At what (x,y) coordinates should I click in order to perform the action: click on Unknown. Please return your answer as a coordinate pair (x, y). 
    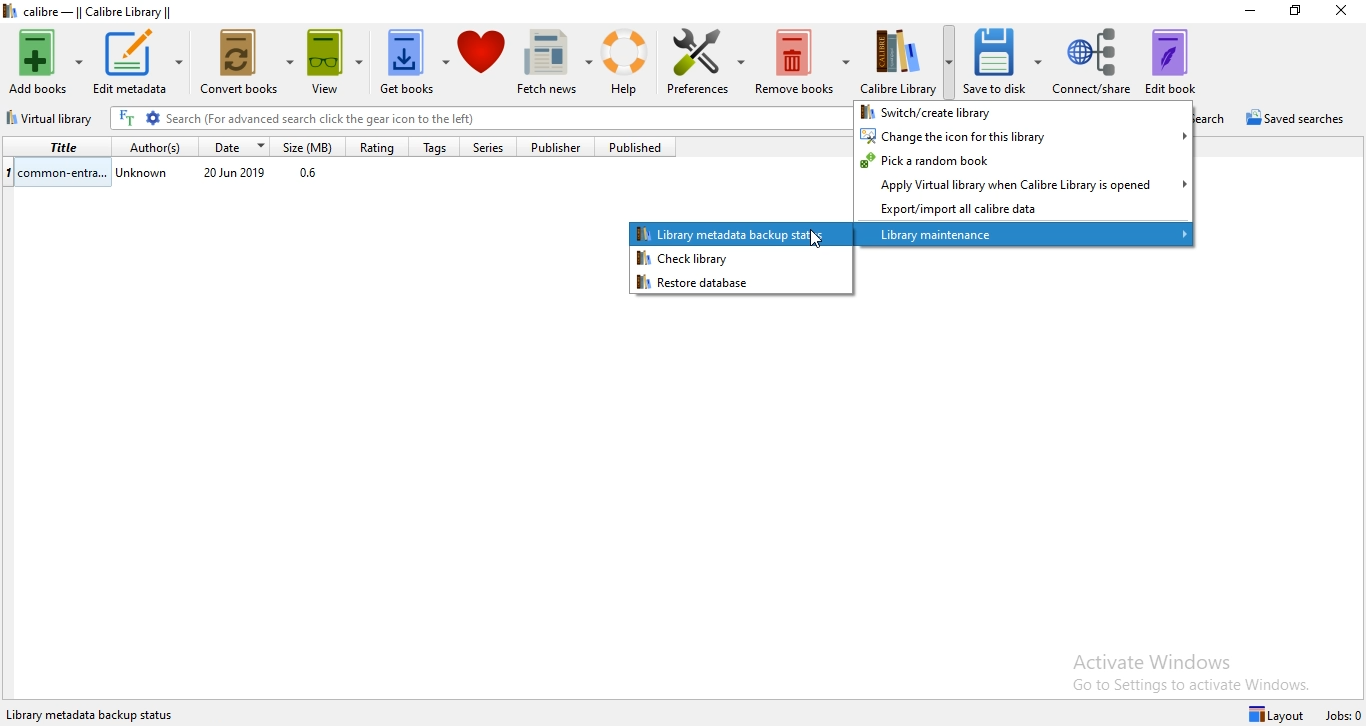
    Looking at the image, I should click on (144, 176).